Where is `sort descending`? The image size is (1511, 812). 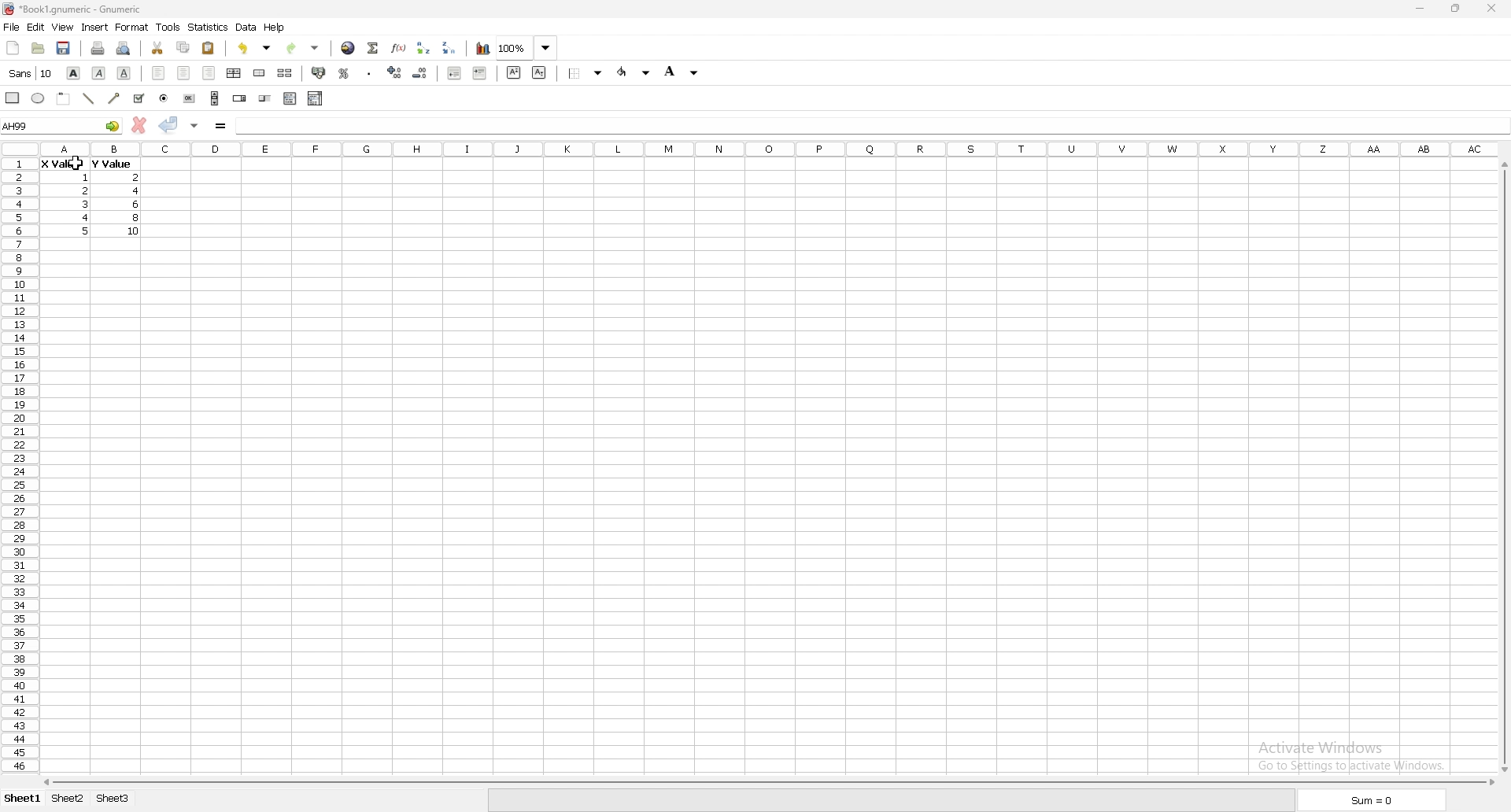
sort descending is located at coordinates (449, 47).